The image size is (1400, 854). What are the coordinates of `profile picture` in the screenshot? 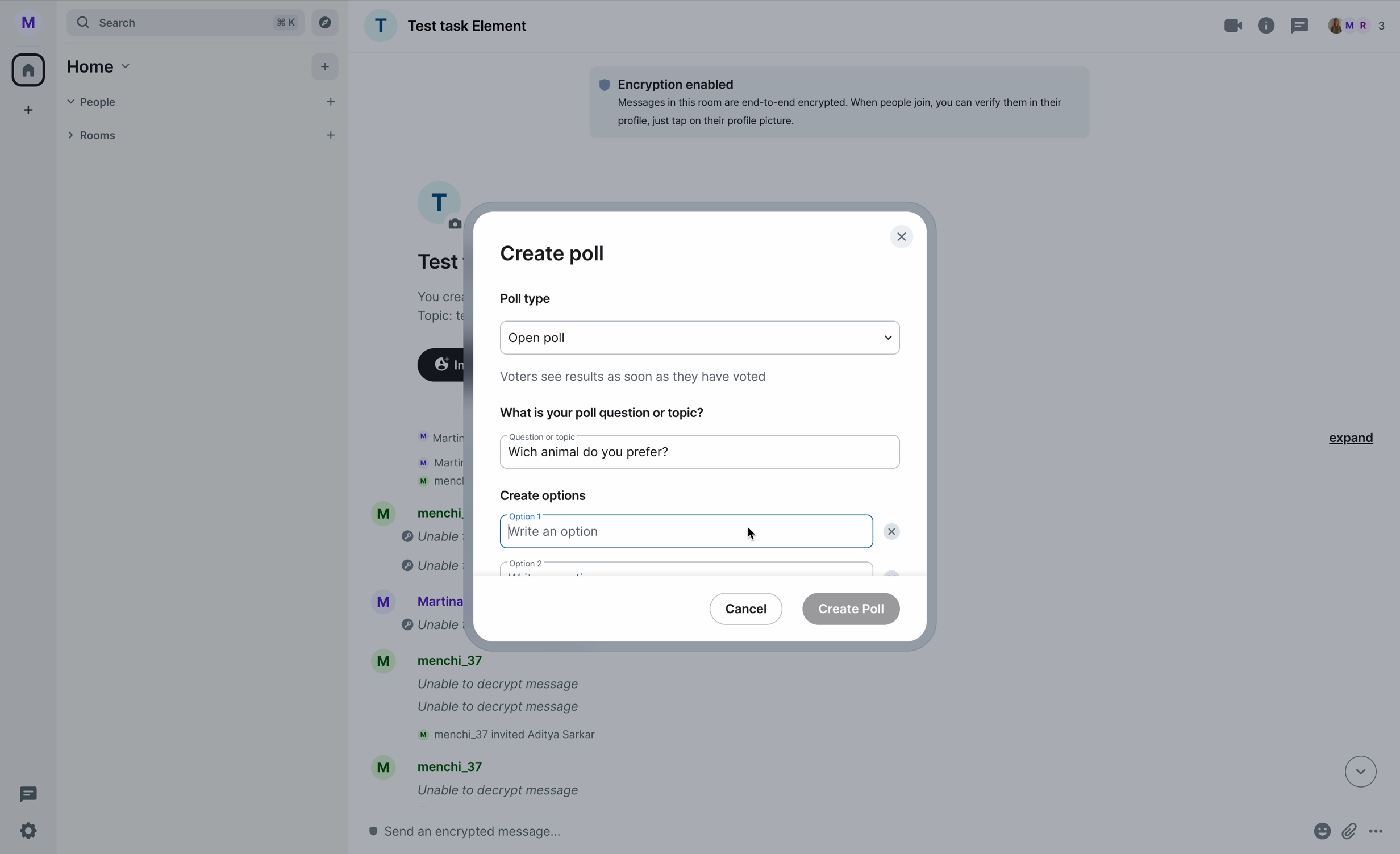 It's located at (33, 23).